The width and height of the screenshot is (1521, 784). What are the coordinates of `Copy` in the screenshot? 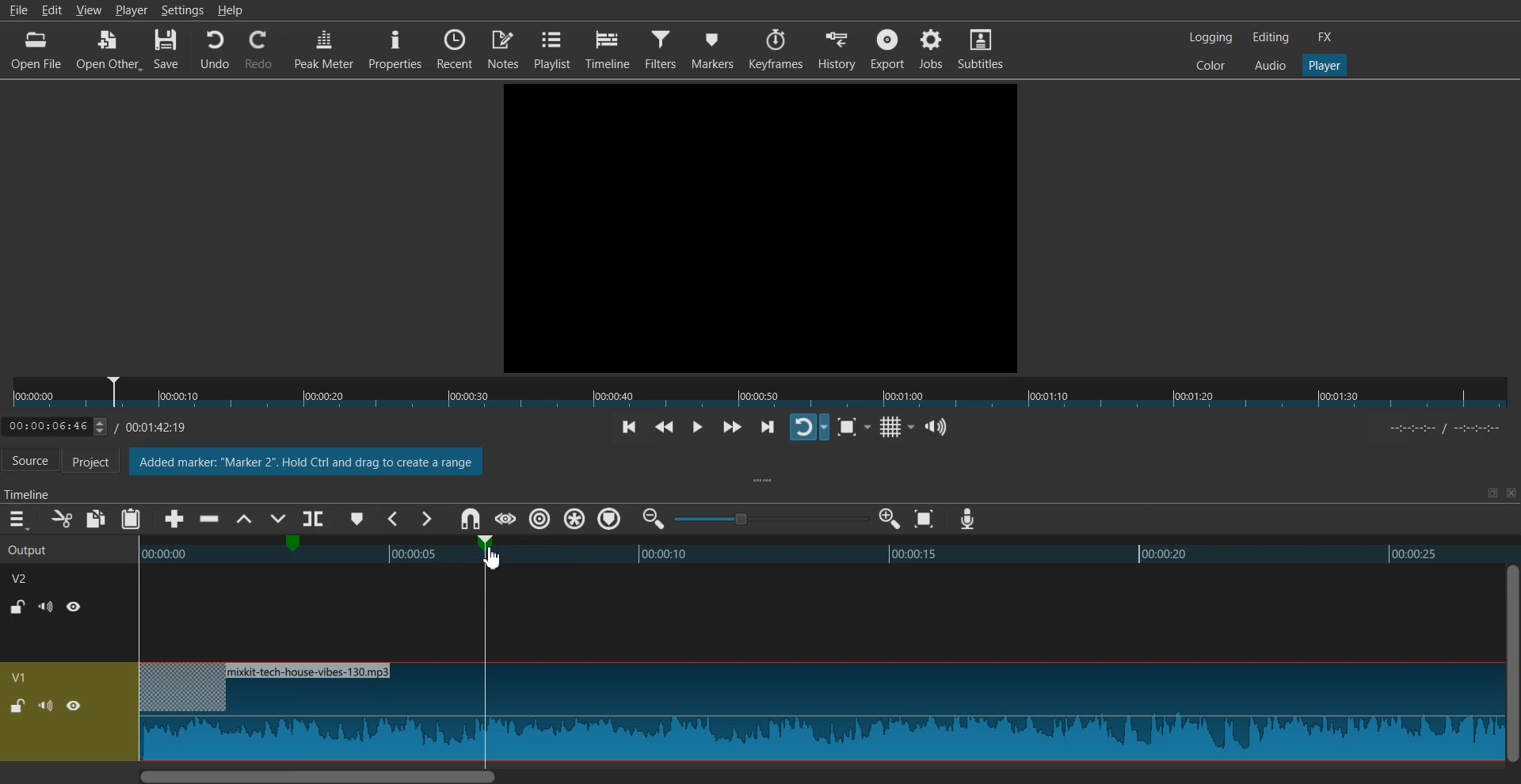 It's located at (97, 519).